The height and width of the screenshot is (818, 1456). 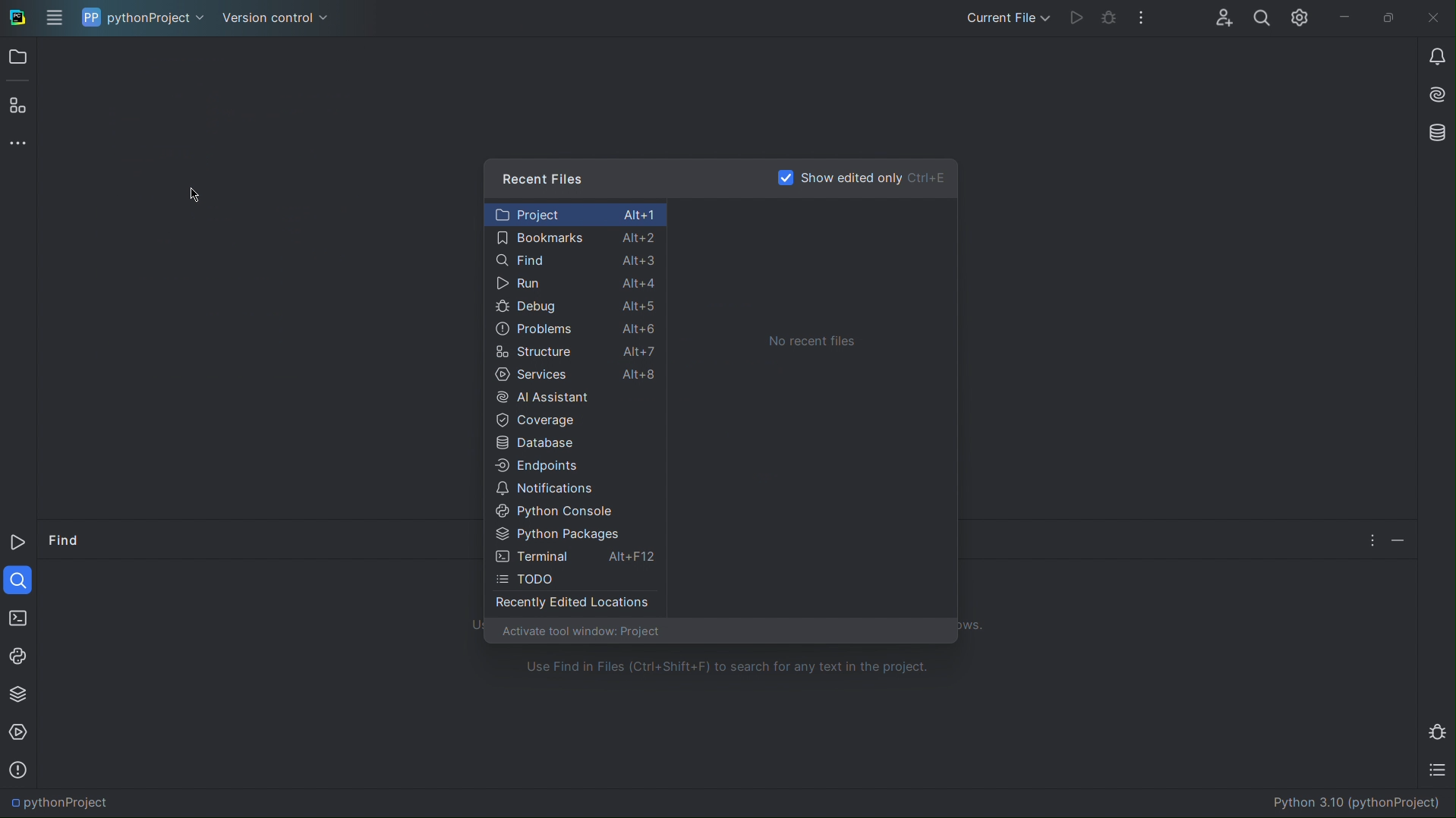 I want to click on Services, so click(x=20, y=733).